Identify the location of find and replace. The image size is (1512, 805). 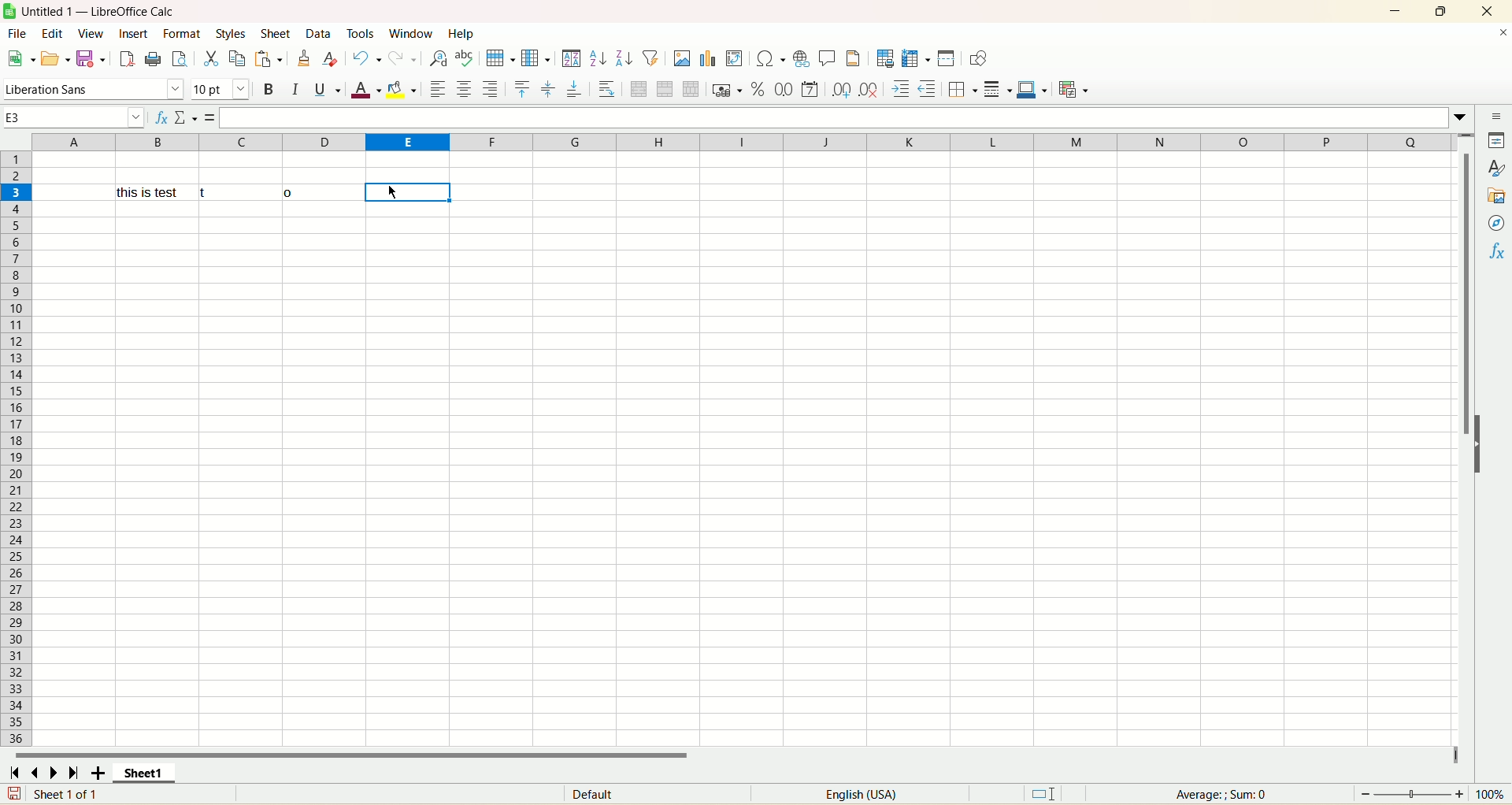
(437, 57).